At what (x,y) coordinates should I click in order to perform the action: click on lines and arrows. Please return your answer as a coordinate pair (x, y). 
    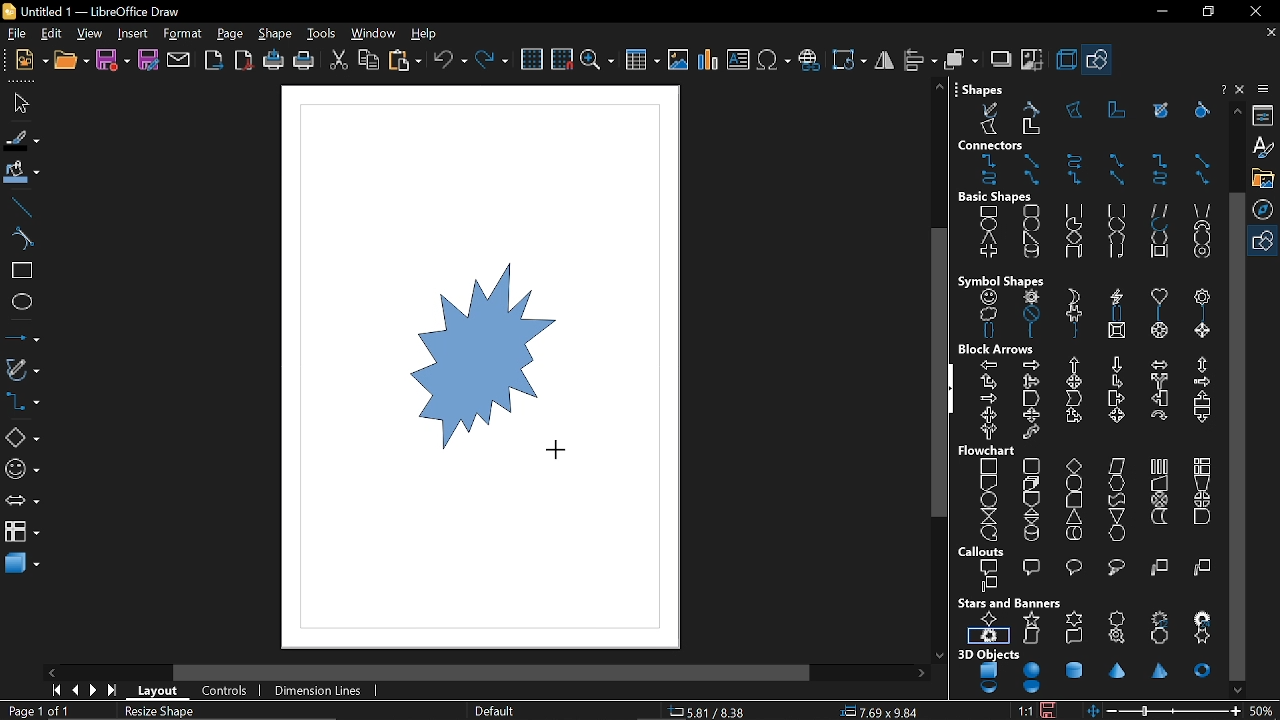
    Looking at the image, I should click on (22, 335).